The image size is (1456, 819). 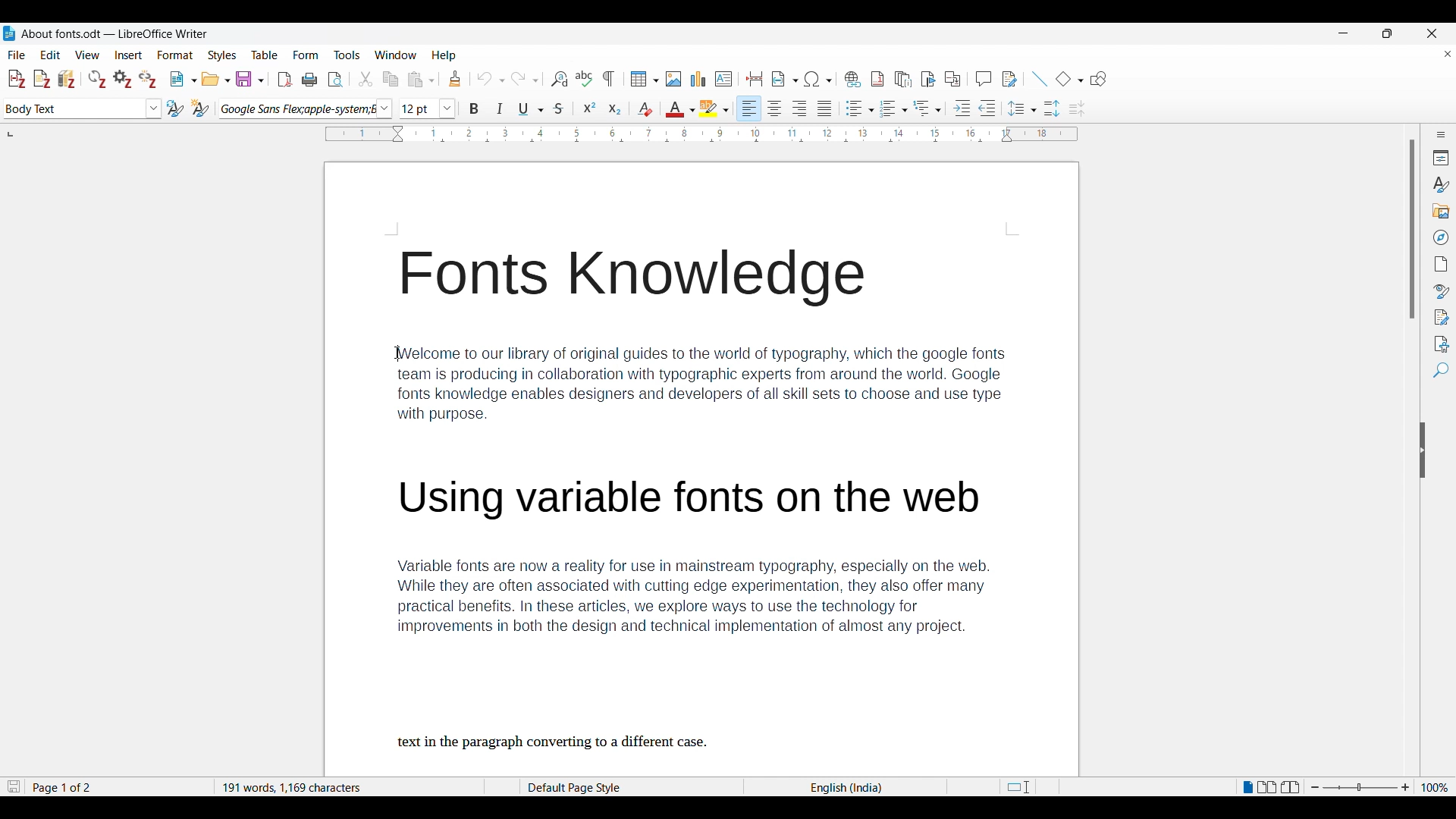 What do you see at coordinates (222, 55) in the screenshot?
I see `Styles menu` at bounding box center [222, 55].